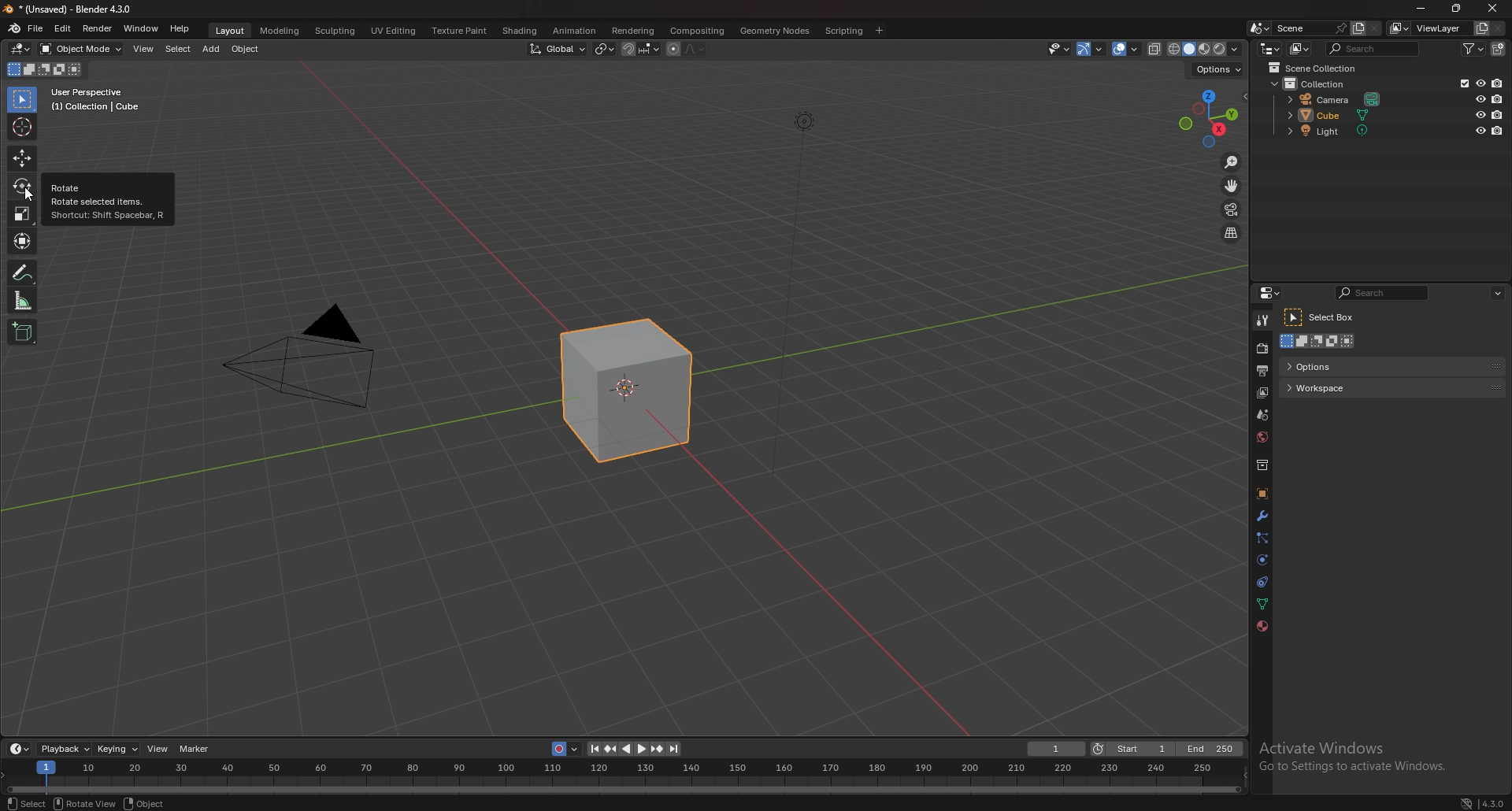  I want to click on view layer, so click(1262, 393).